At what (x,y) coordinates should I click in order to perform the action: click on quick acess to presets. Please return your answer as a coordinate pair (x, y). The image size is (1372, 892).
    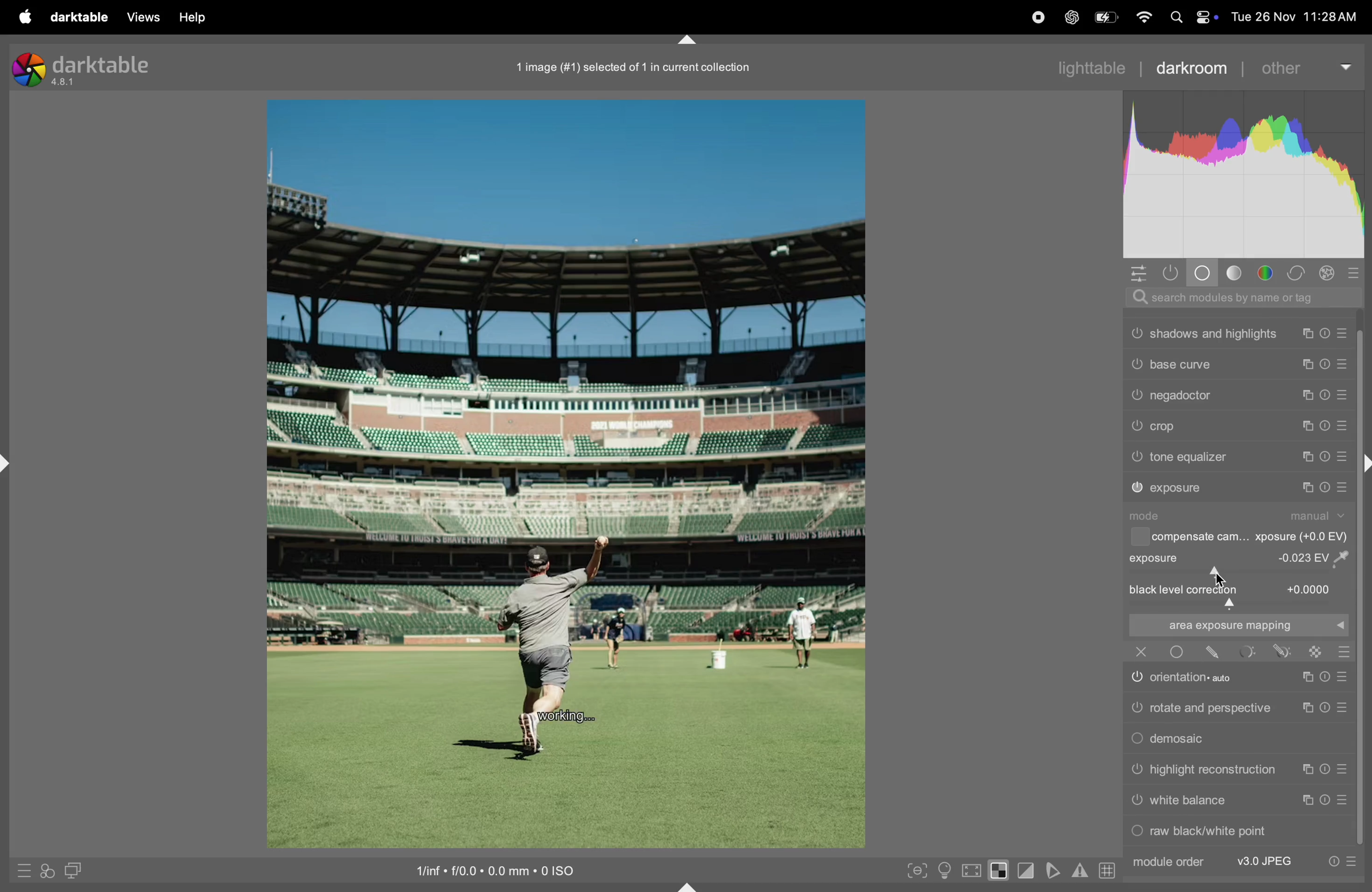
    Looking at the image, I should click on (21, 870).